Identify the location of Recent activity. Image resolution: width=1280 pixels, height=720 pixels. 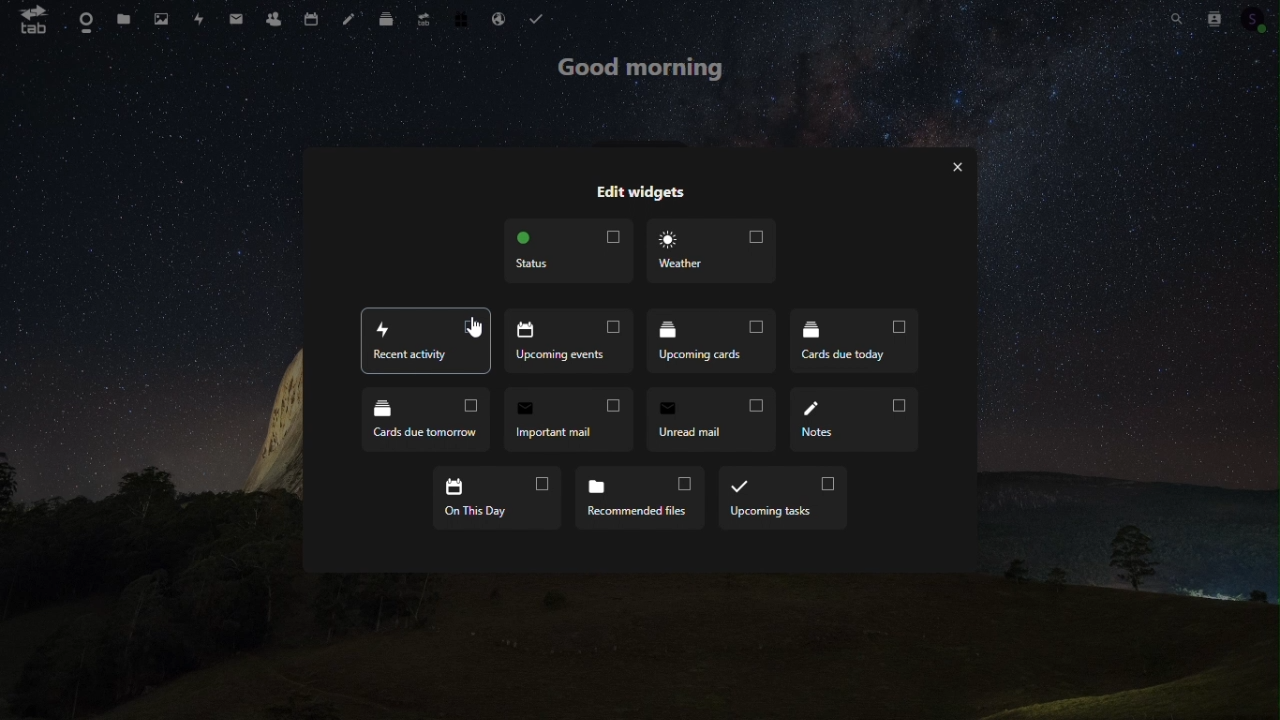
(571, 343).